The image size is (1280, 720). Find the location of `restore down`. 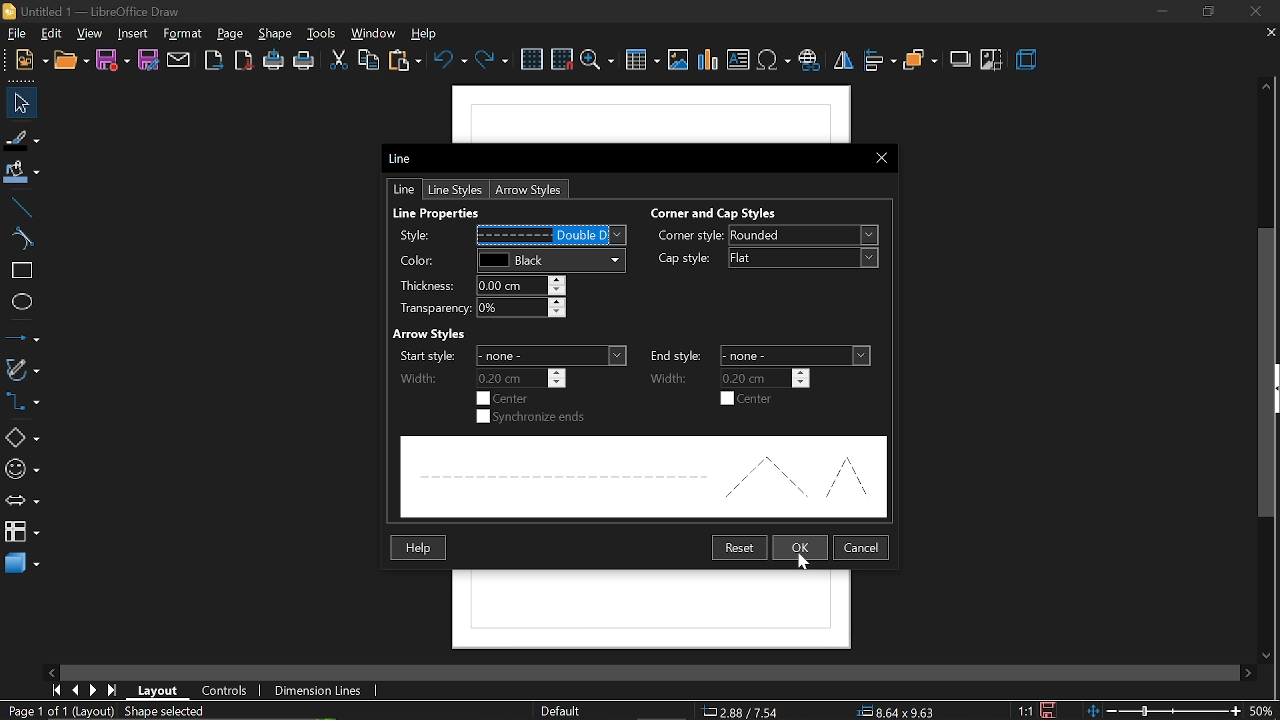

restore down is located at coordinates (1206, 13).